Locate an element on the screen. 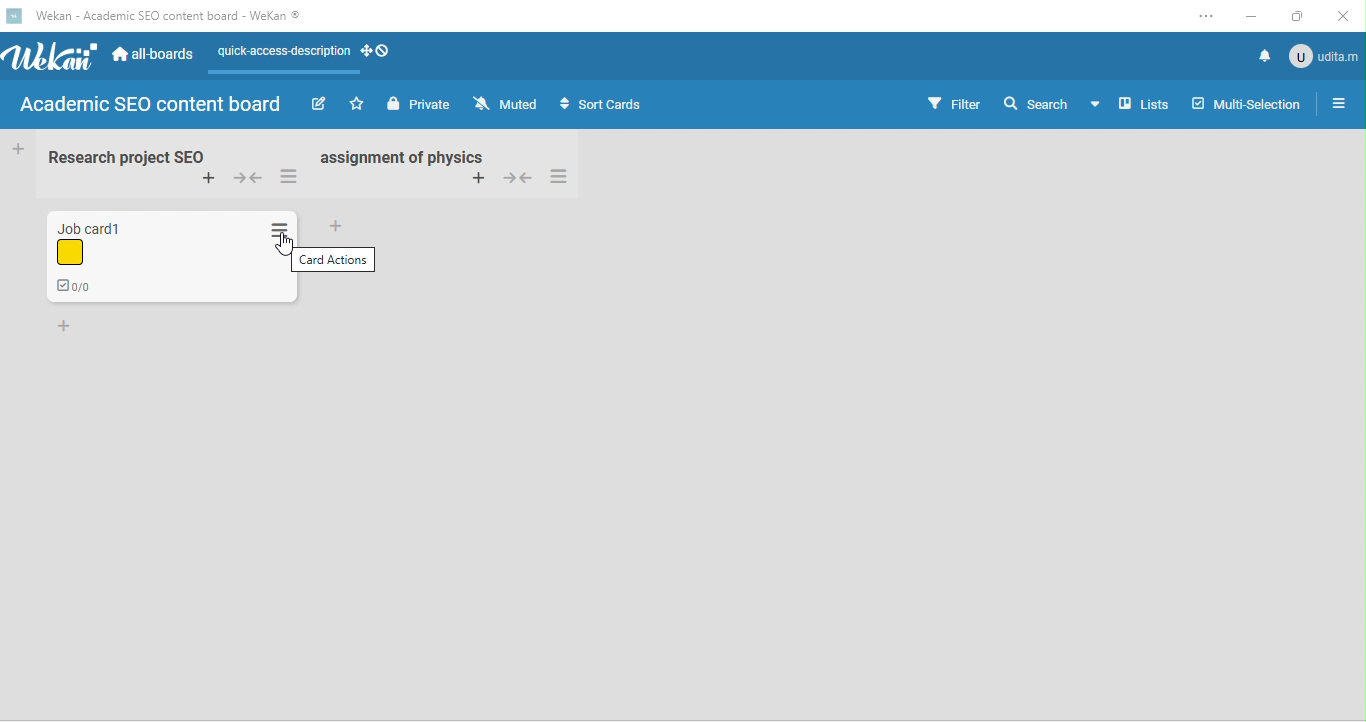 The image size is (1366, 722). close is located at coordinates (1351, 15).